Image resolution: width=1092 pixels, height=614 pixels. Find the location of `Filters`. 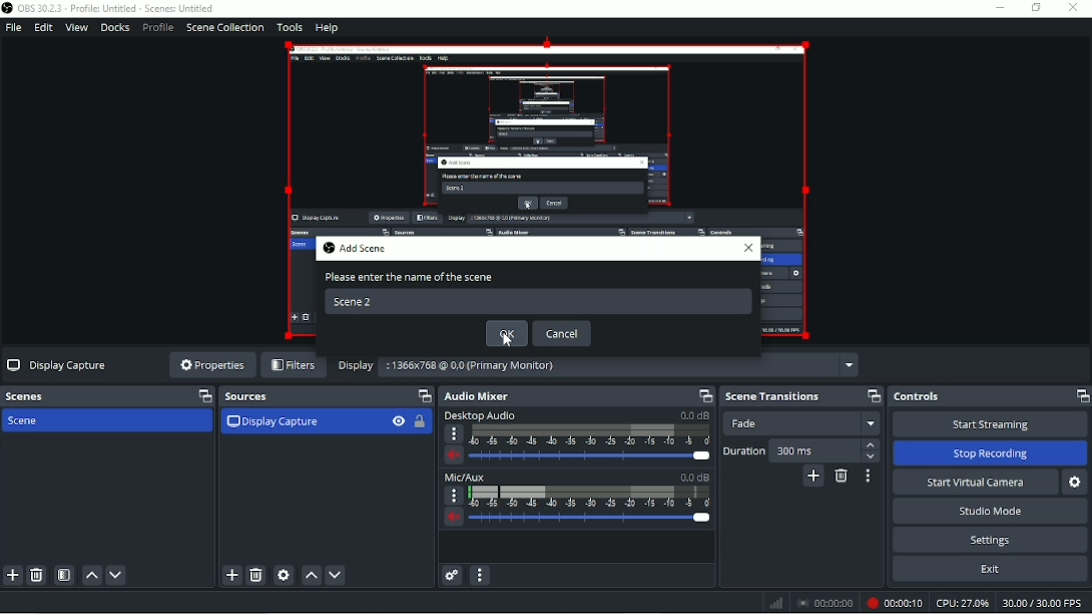

Filters is located at coordinates (293, 366).